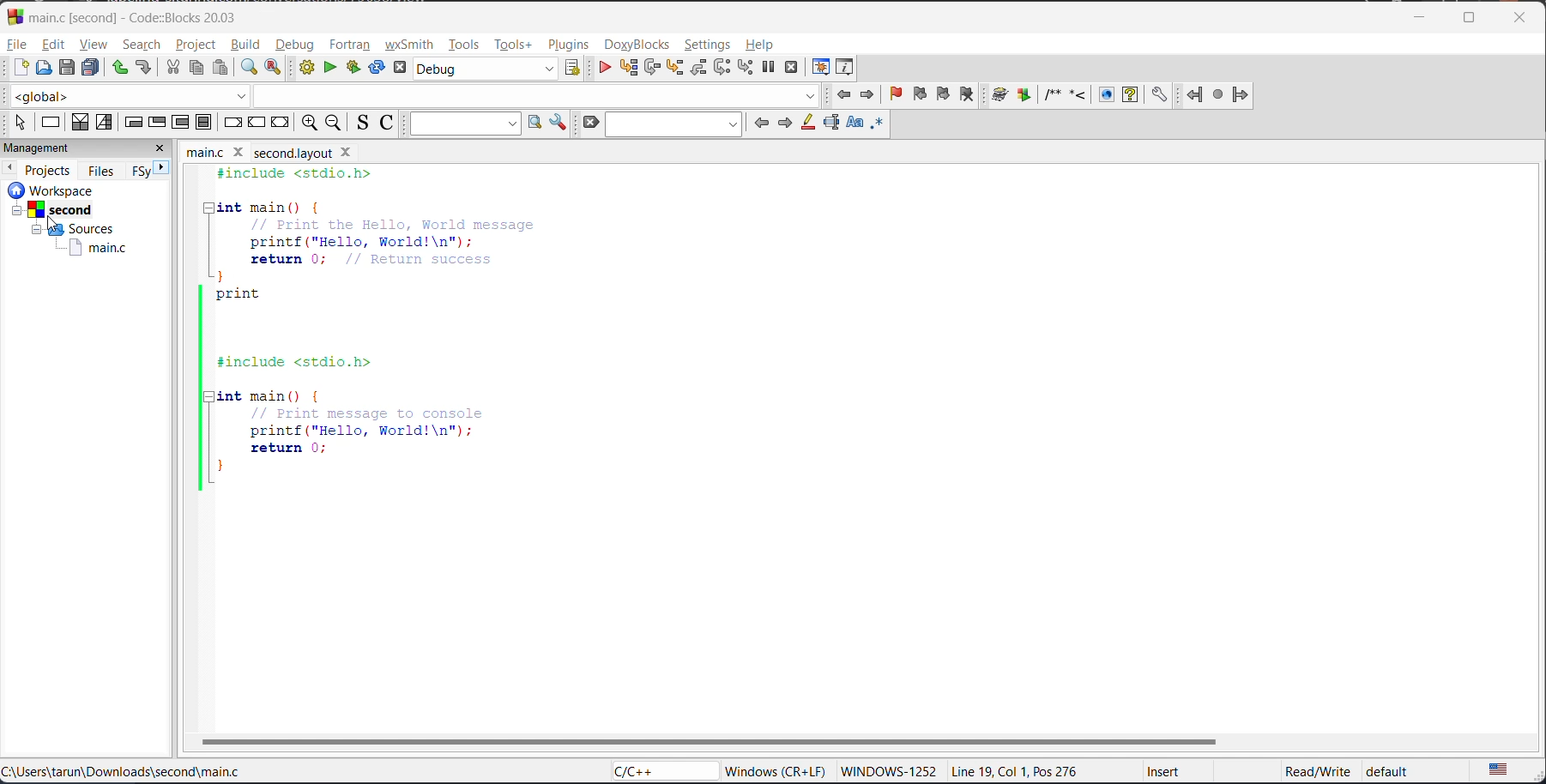 This screenshot has width=1546, height=784. What do you see at coordinates (62, 69) in the screenshot?
I see `save` at bounding box center [62, 69].